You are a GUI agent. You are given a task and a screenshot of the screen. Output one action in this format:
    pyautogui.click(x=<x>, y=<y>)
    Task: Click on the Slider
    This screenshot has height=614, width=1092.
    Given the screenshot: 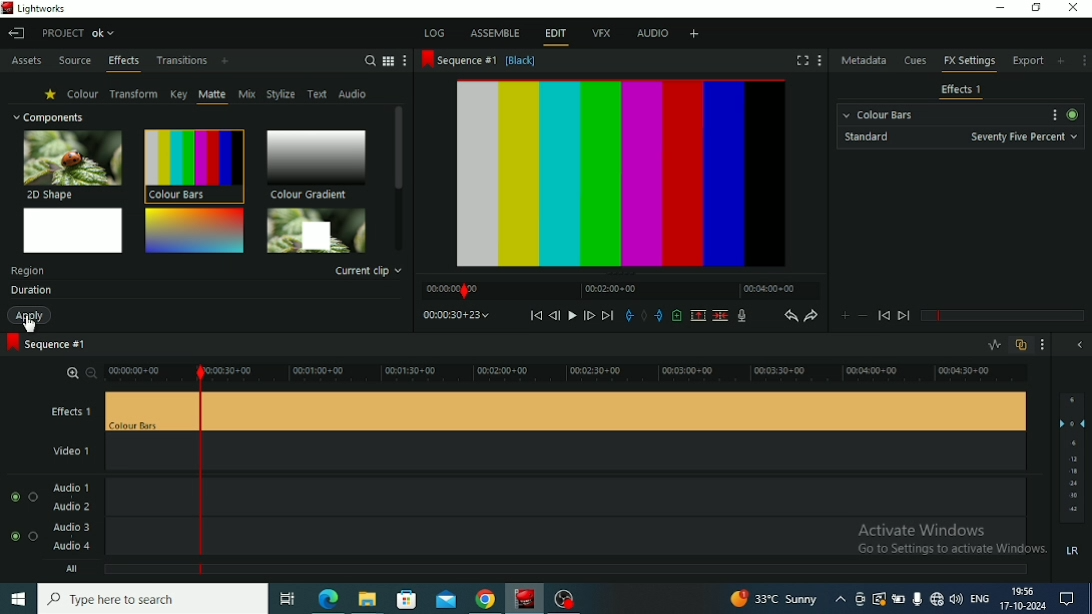 What is the action you would take?
    pyautogui.click(x=141, y=373)
    